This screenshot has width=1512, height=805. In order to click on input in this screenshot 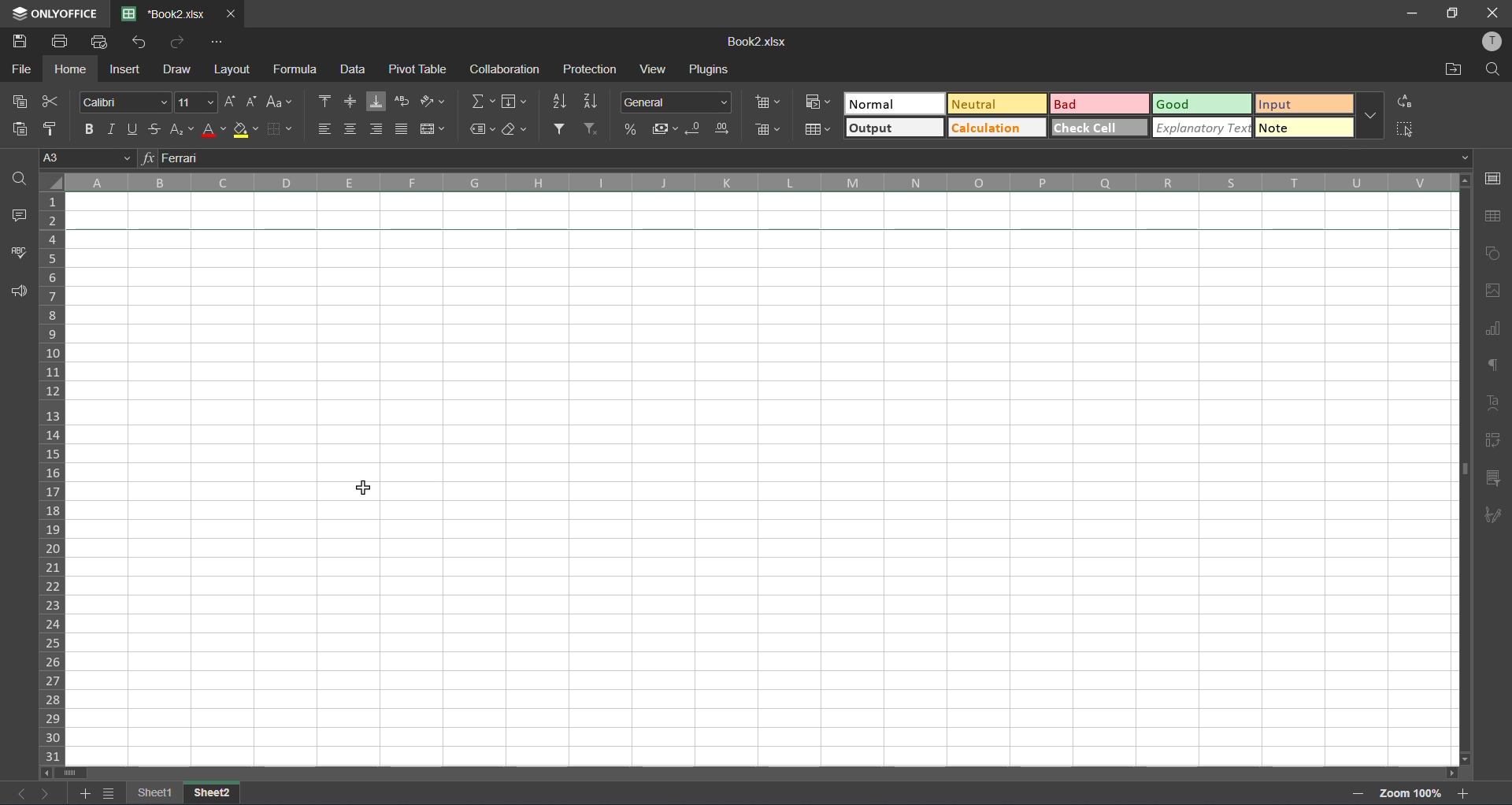, I will do `click(1303, 106)`.